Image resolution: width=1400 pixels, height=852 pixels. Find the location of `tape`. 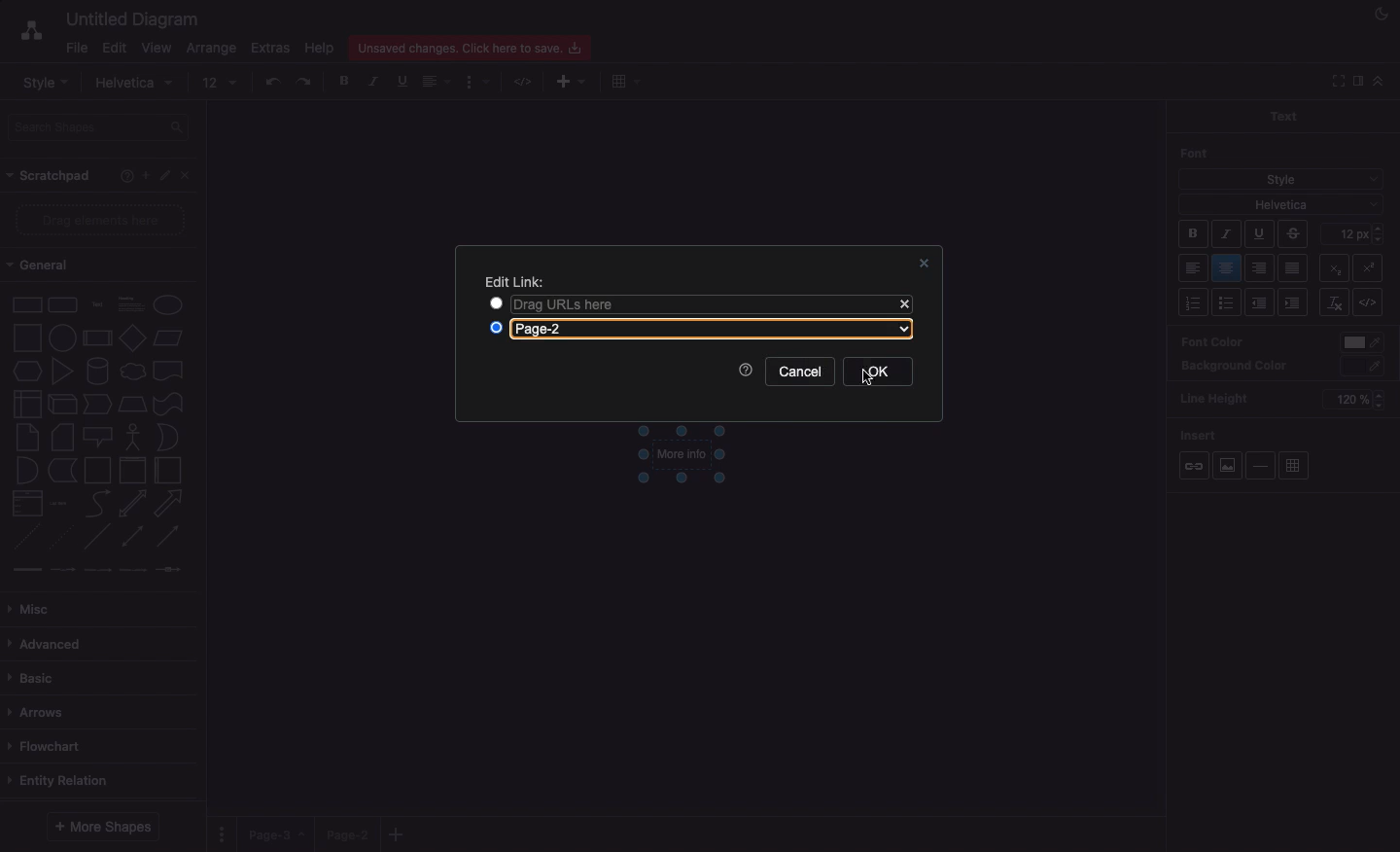

tape is located at coordinates (168, 404).